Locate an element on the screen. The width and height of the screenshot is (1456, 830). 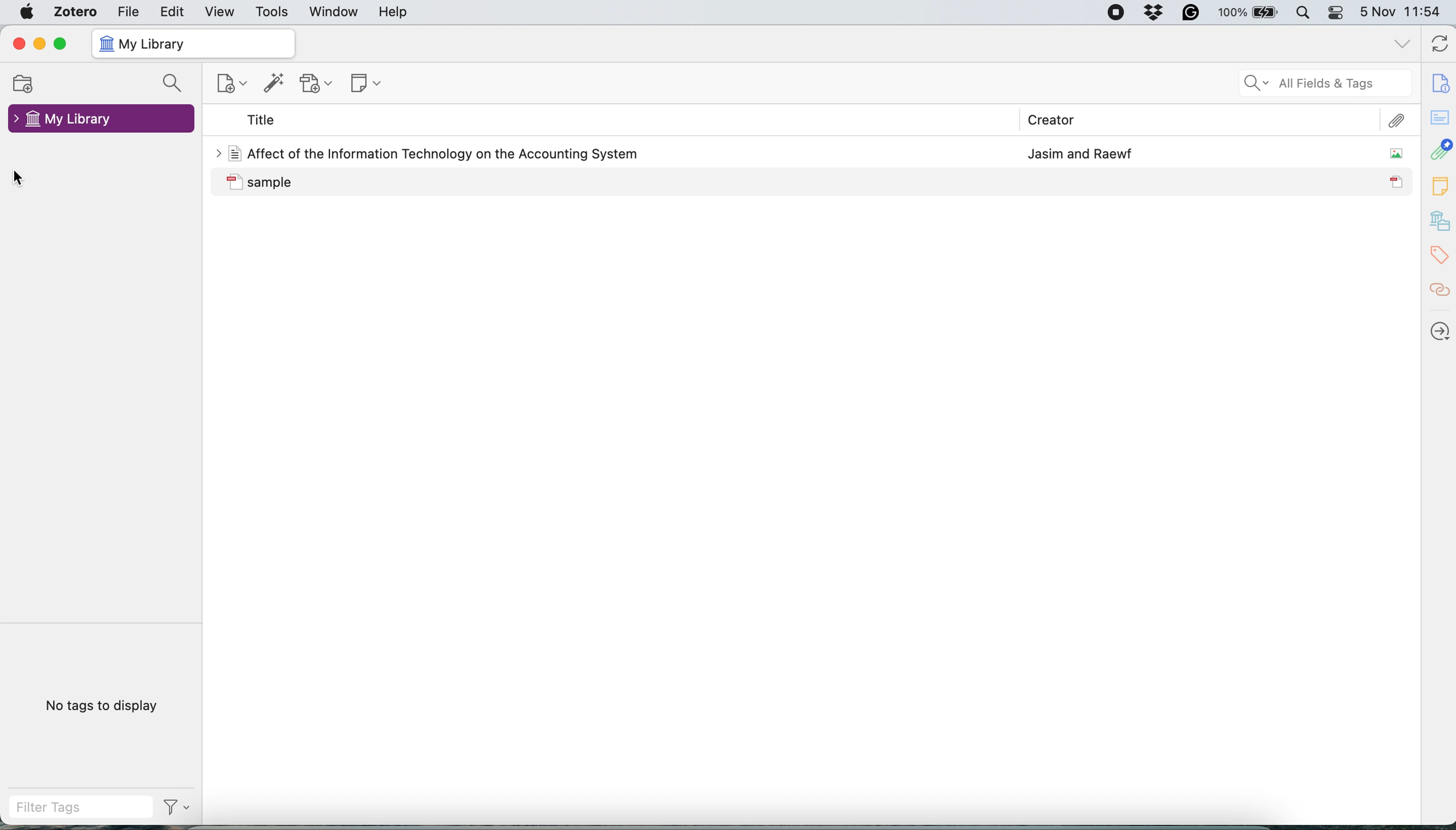
help is located at coordinates (394, 13).